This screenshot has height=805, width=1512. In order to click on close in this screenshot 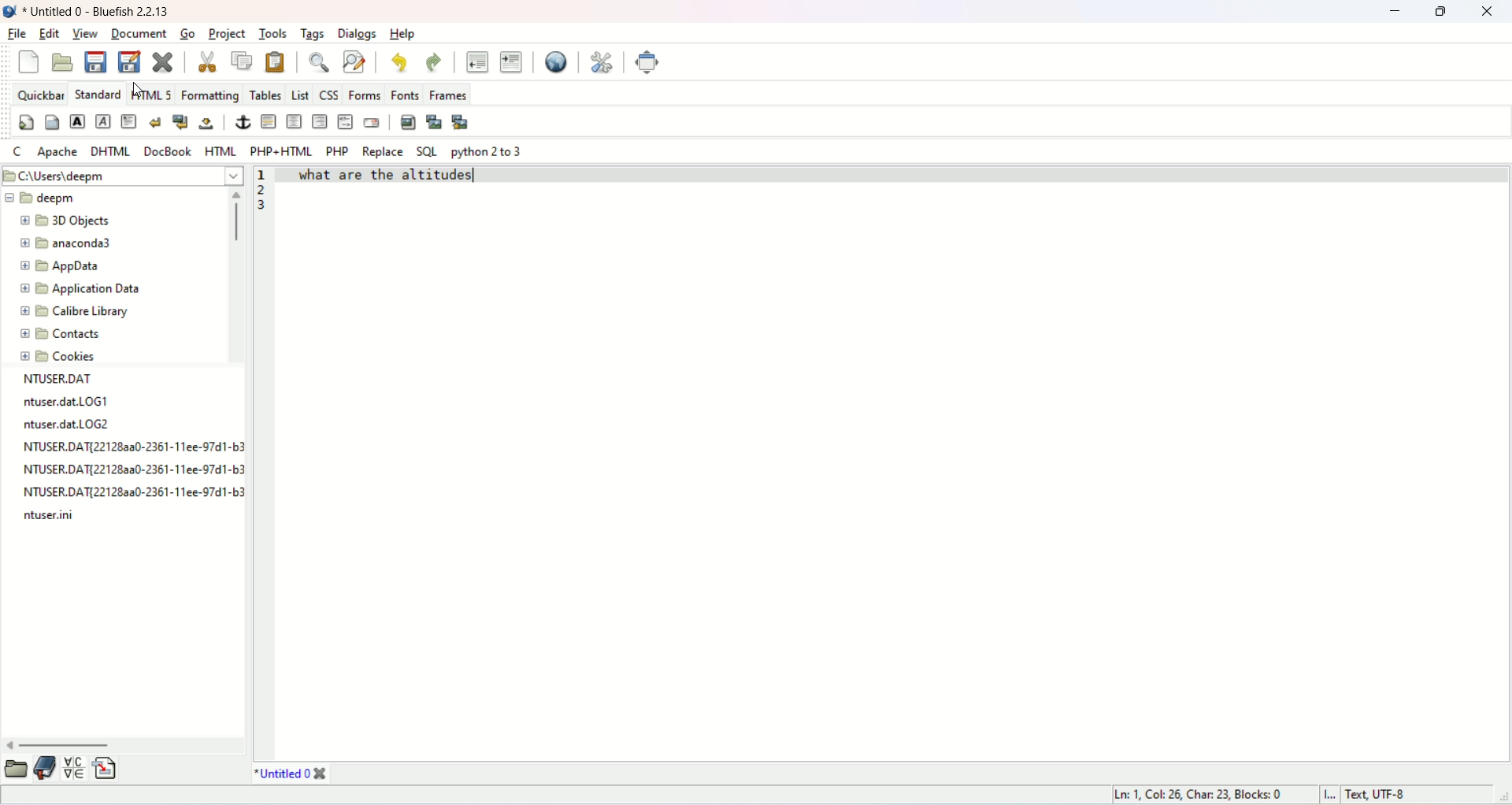, I will do `click(1487, 12)`.